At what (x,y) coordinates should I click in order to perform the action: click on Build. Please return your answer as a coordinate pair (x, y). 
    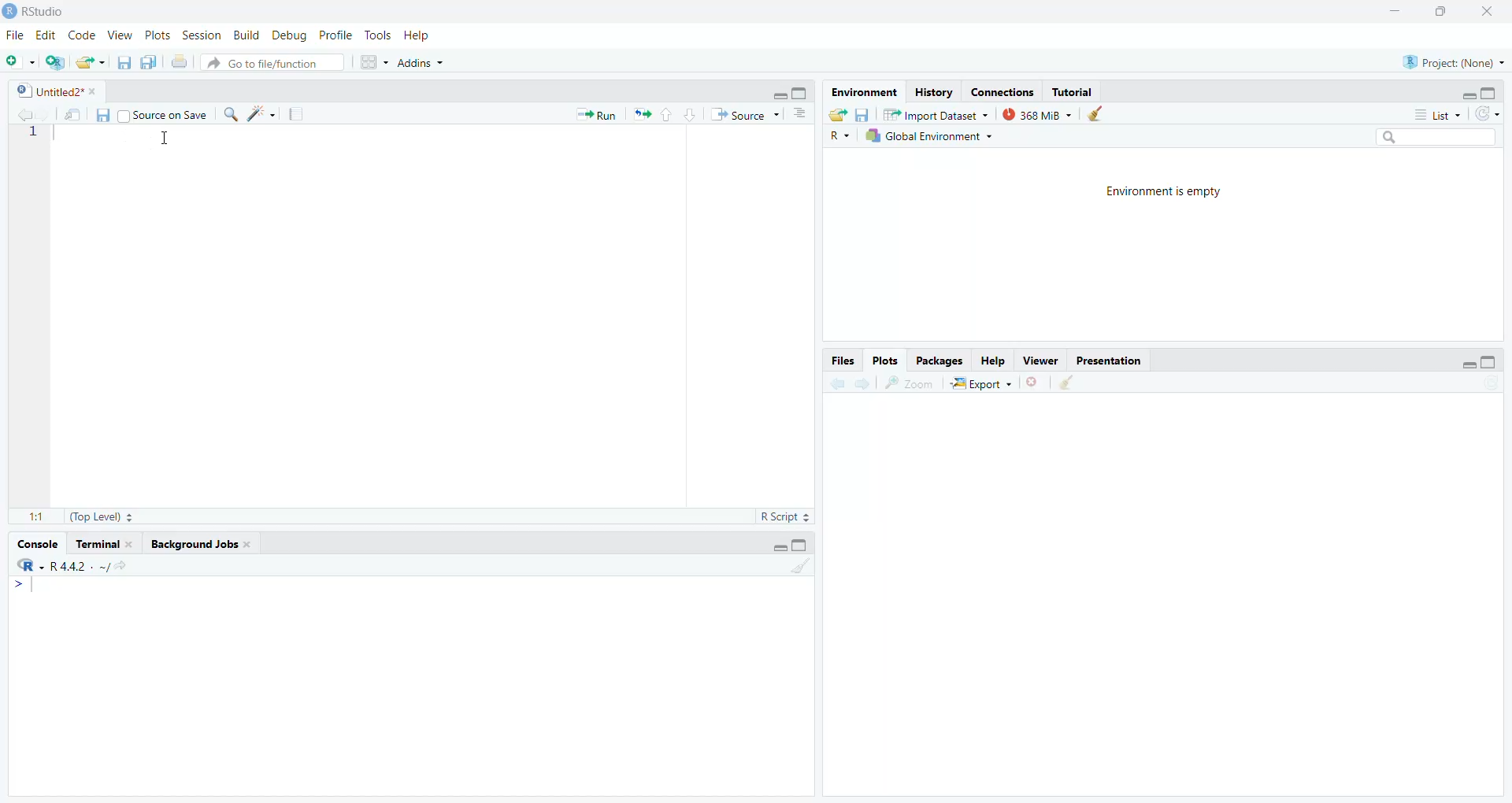
    Looking at the image, I should click on (248, 35).